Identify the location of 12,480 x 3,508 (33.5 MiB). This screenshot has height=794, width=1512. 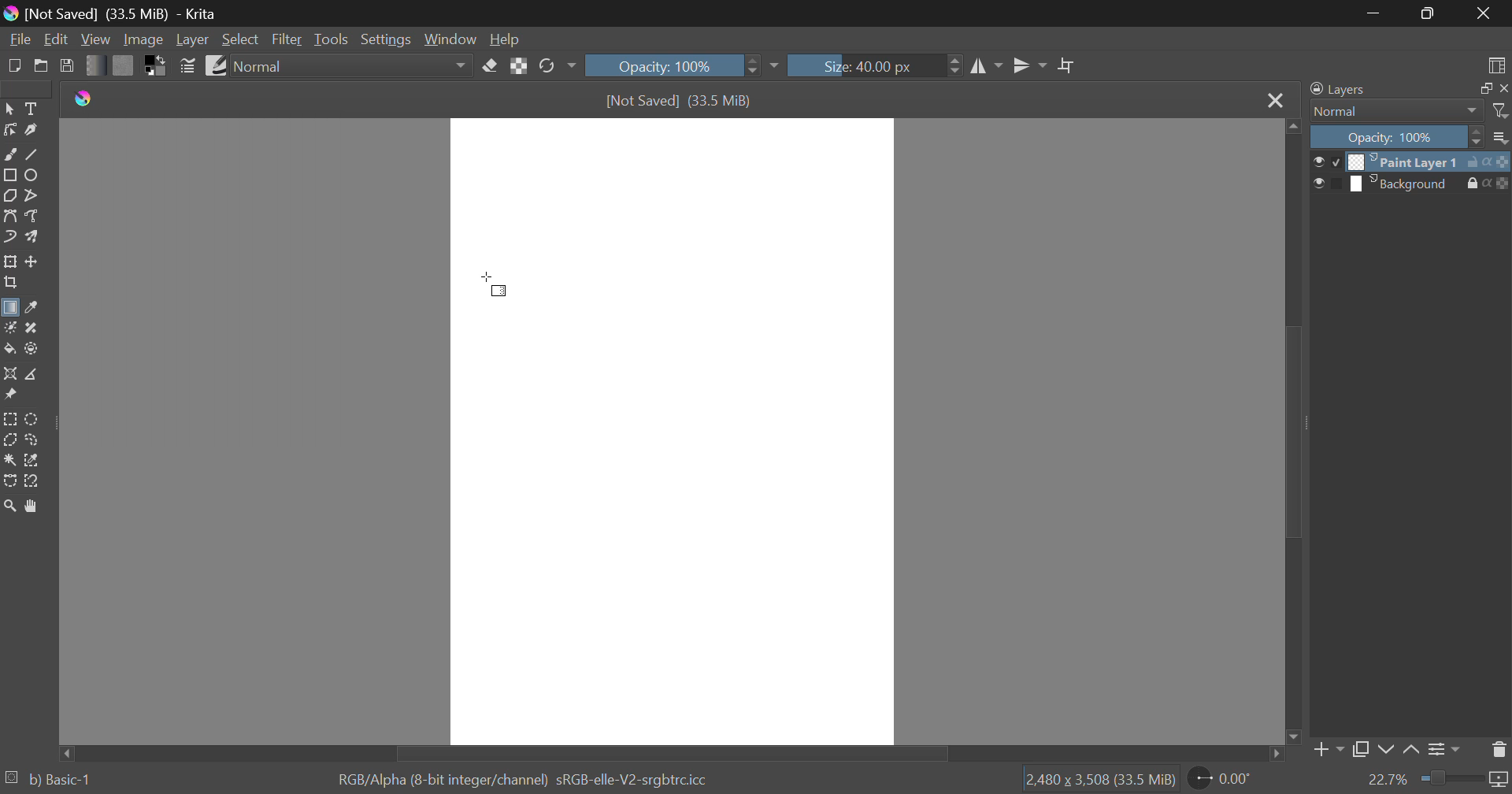
(1099, 779).